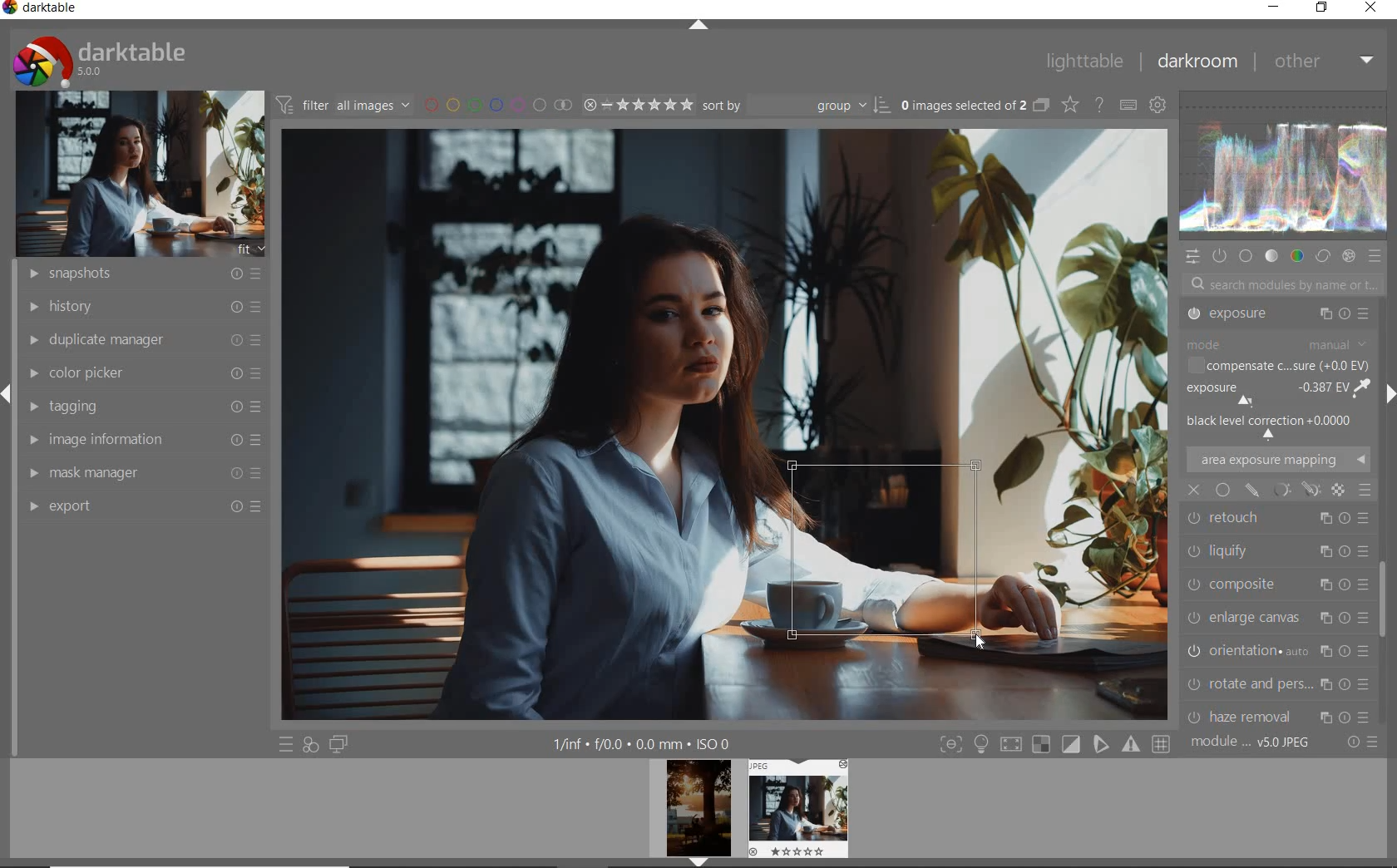 Image resolution: width=1397 pixels, height=868 pixels. Describe the element at coordinates (980, 641) in the screenshot. I see `Cursor` at that location.